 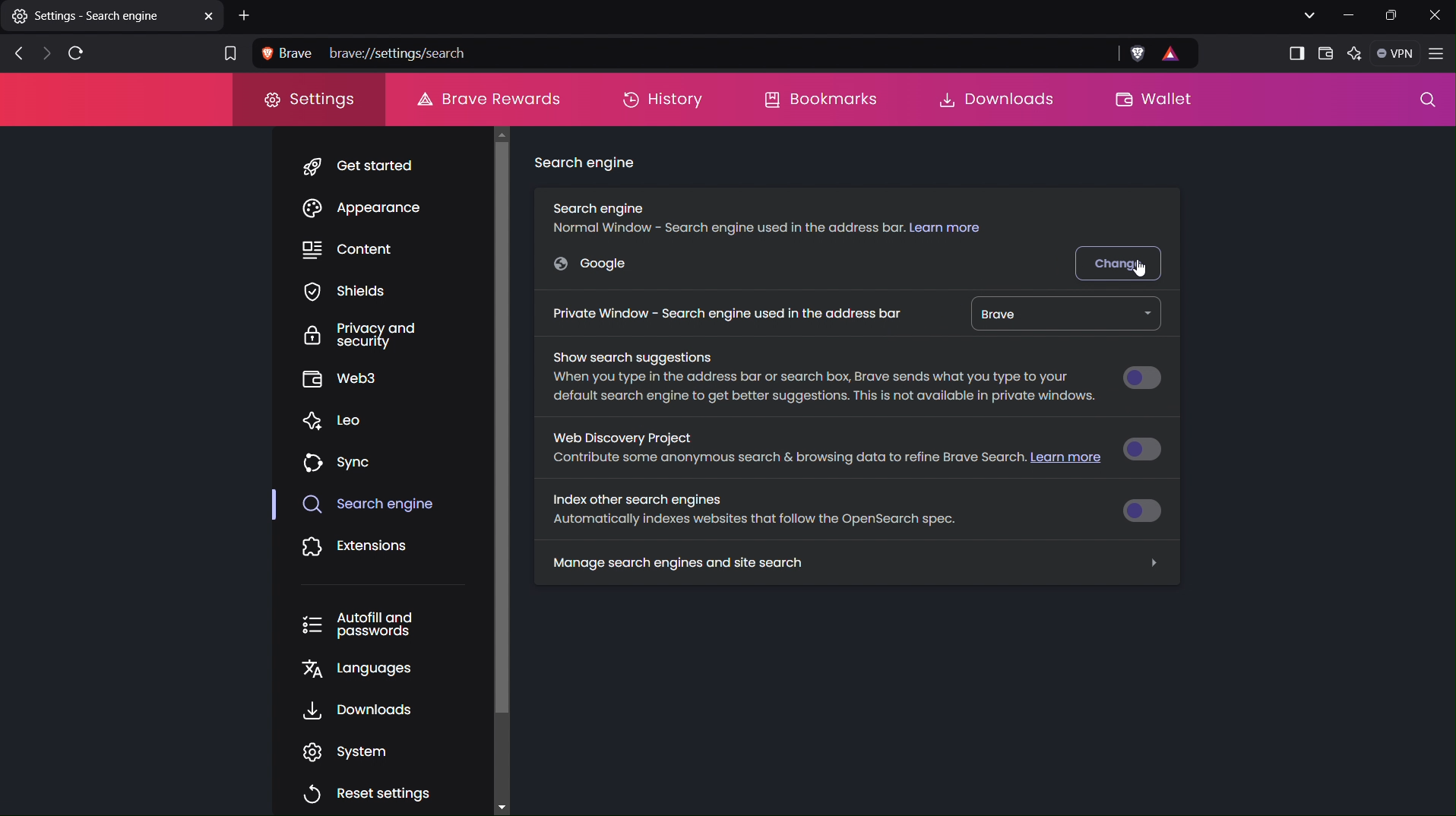 What do you see at coordinates (1307, 15) in the screenshot?
I see `List all tabs` at bounding box center [1307, 15].